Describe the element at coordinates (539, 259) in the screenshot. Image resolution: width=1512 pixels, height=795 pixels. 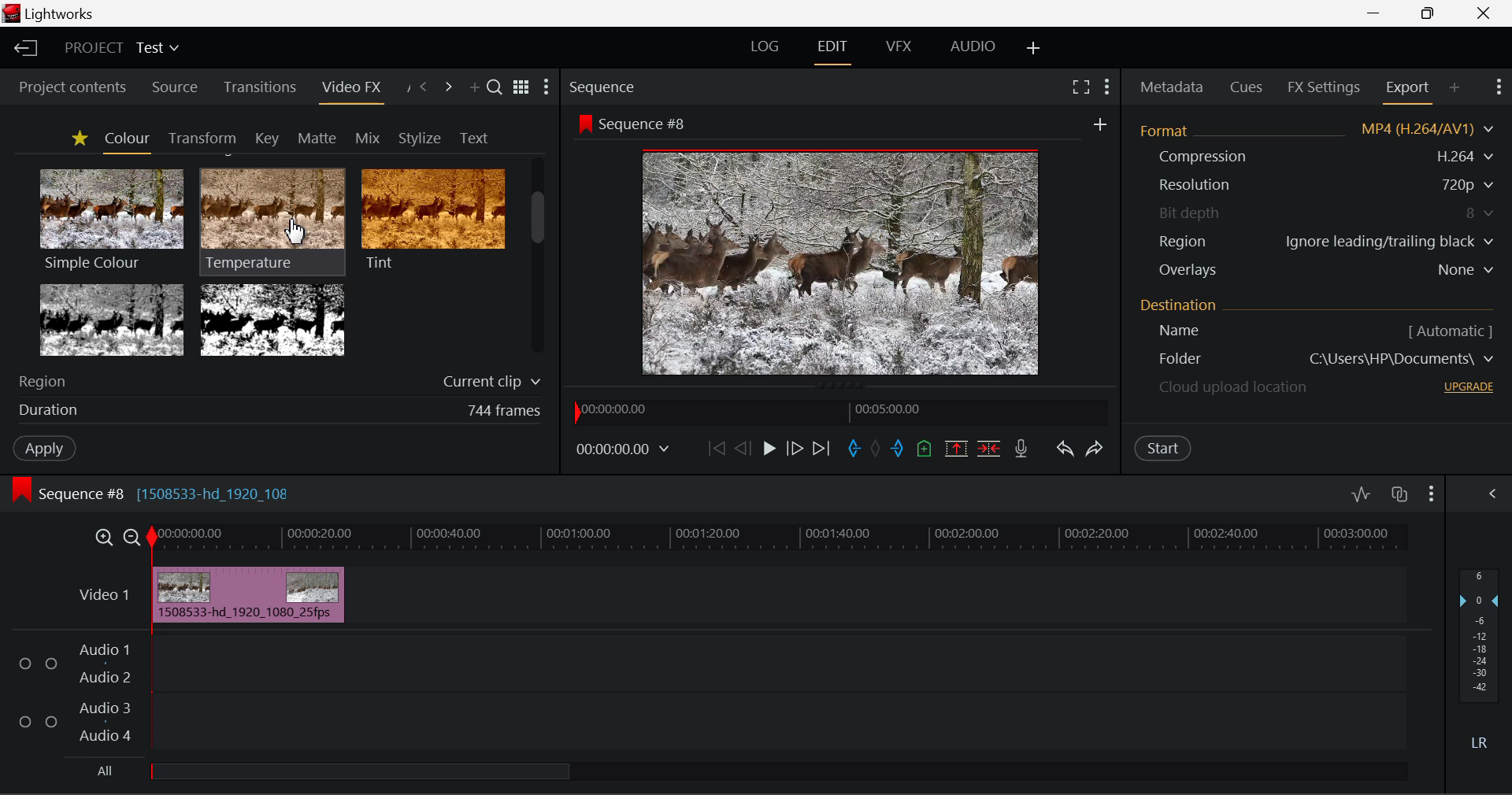
I see `Scroll Bar` at that location.